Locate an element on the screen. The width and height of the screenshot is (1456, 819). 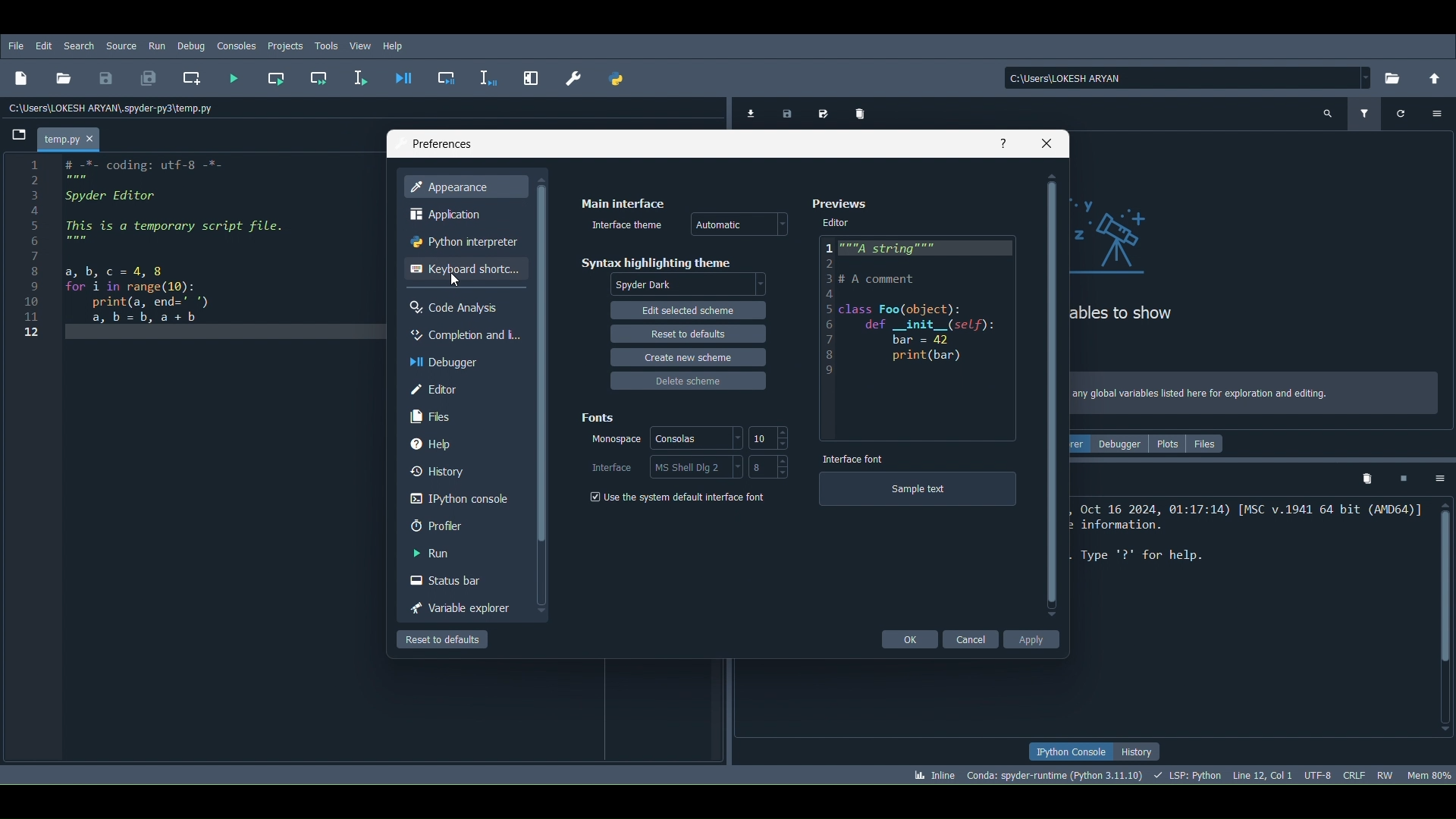
PYTHONPATH manager is located at coordinates (617, 79).